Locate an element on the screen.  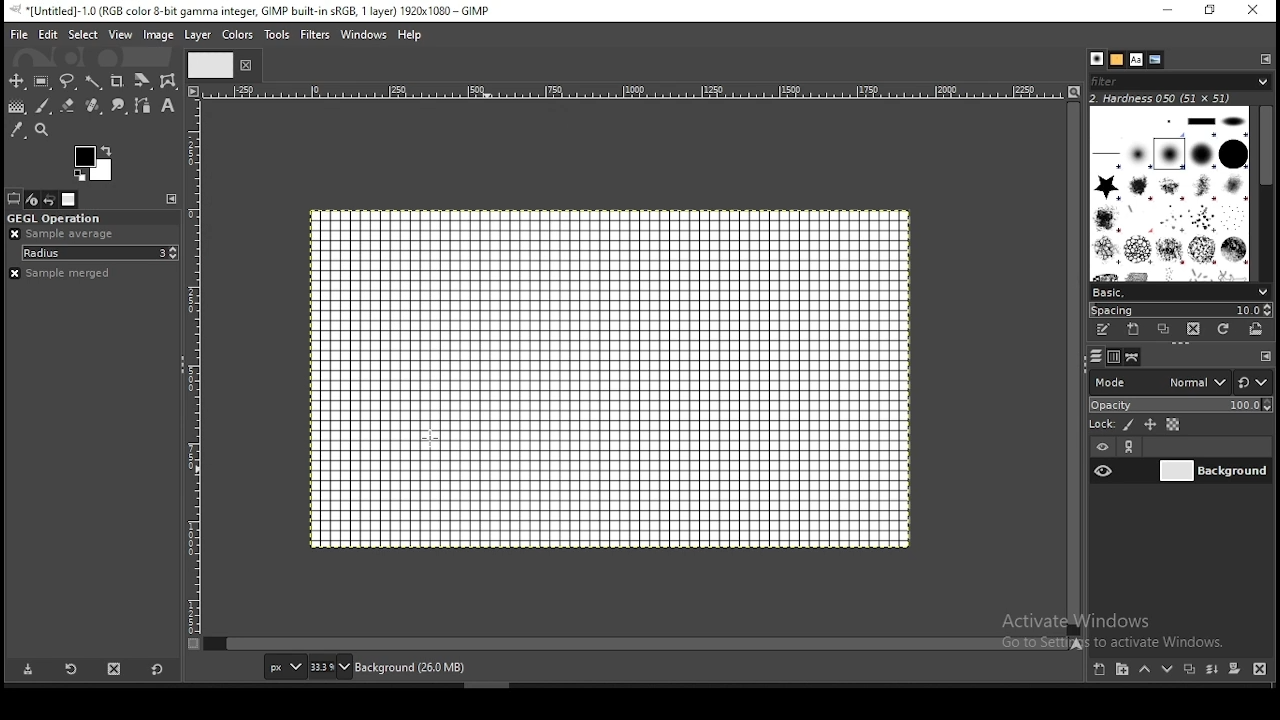
brushes is located at coordinates (1097, 58).